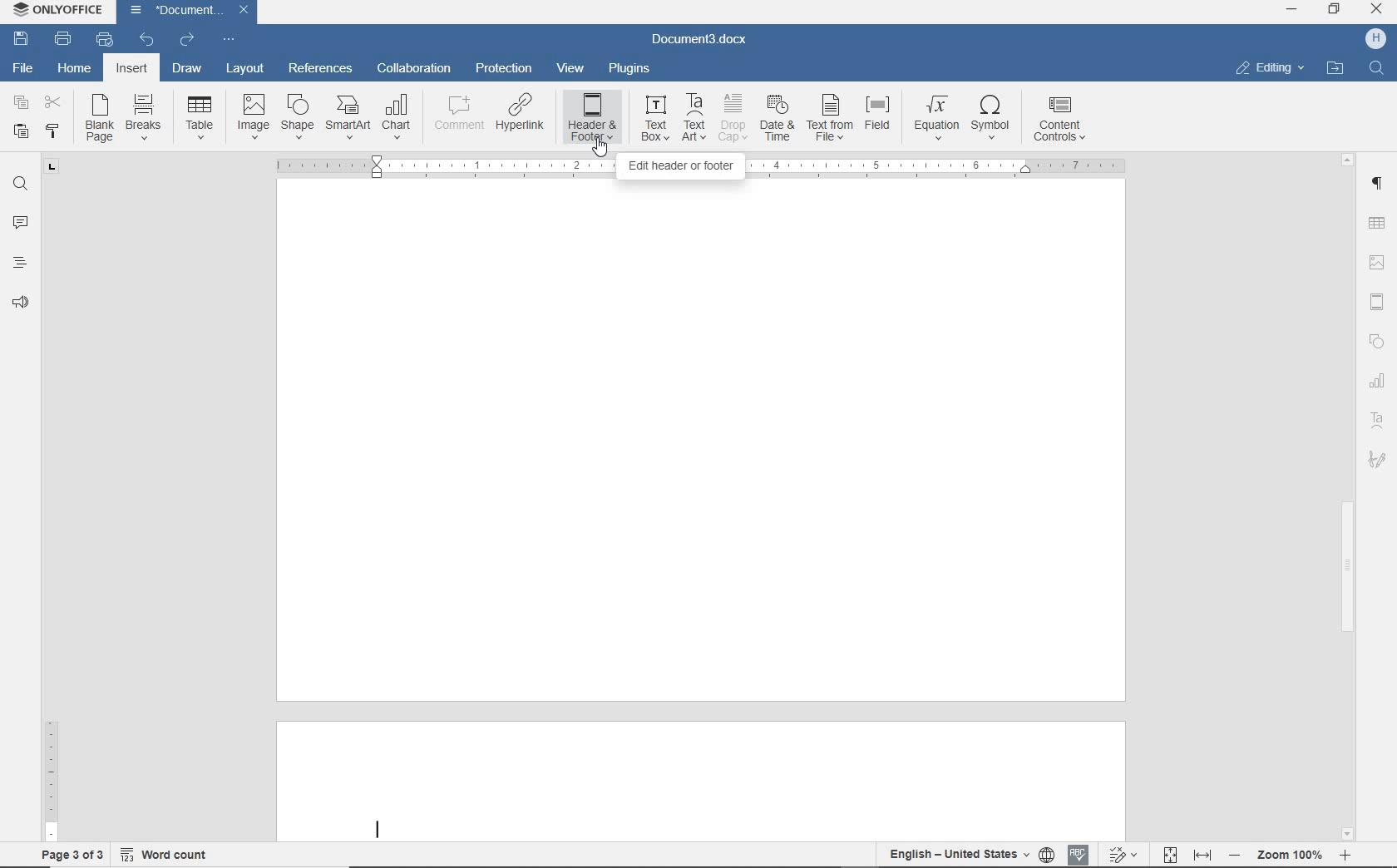 The width and height of the screenshot is (1397, 868). Describe the element at coordinates (504, 69) in the screenshot. I see `PROTECTION` at that location.